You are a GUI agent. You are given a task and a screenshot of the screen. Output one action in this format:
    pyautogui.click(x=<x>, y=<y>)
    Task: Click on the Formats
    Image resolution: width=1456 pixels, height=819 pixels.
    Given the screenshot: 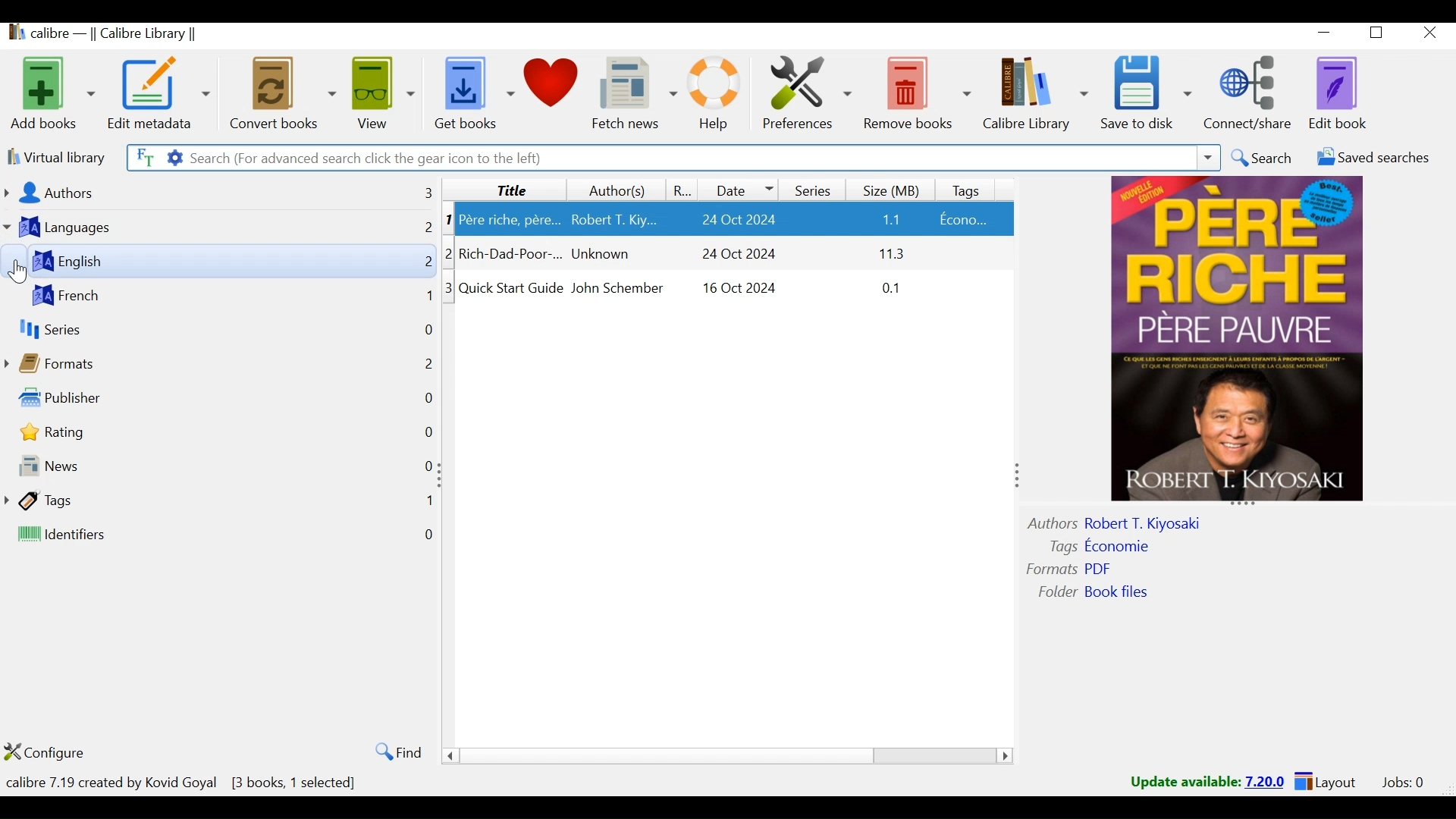 What is the action you would take?
    pyautogui.click(x=82, y=360)
    